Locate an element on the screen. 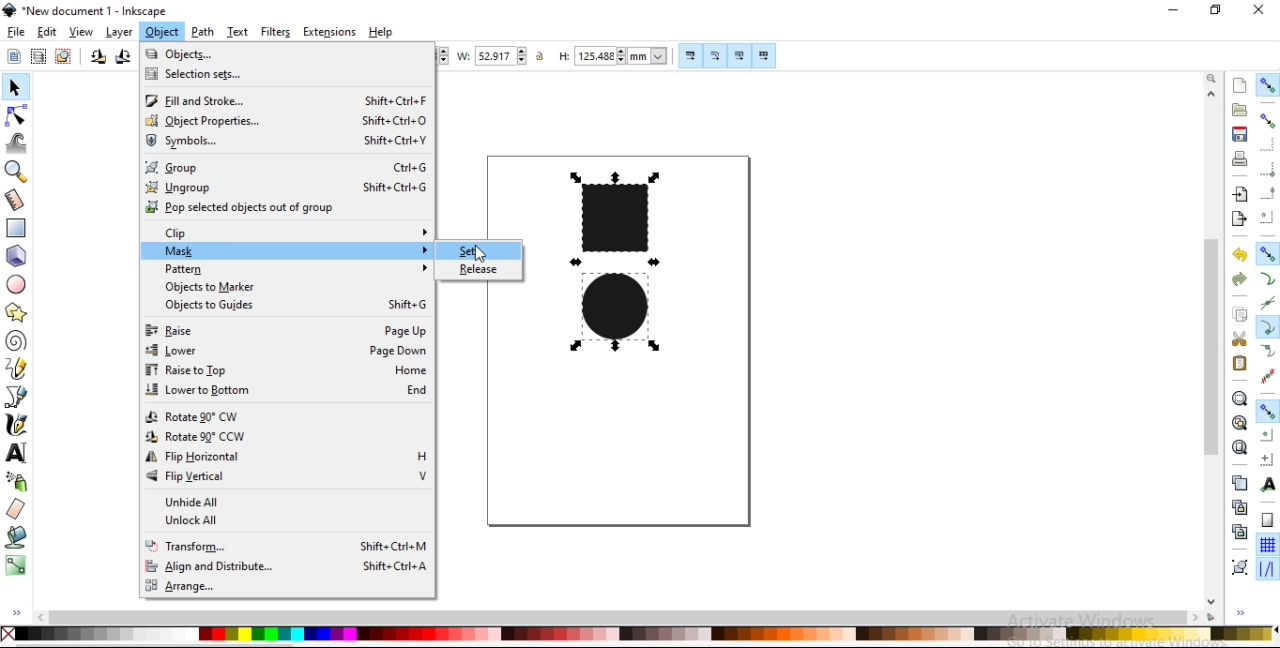  select and transform objects is located at coordinates (16, 88).